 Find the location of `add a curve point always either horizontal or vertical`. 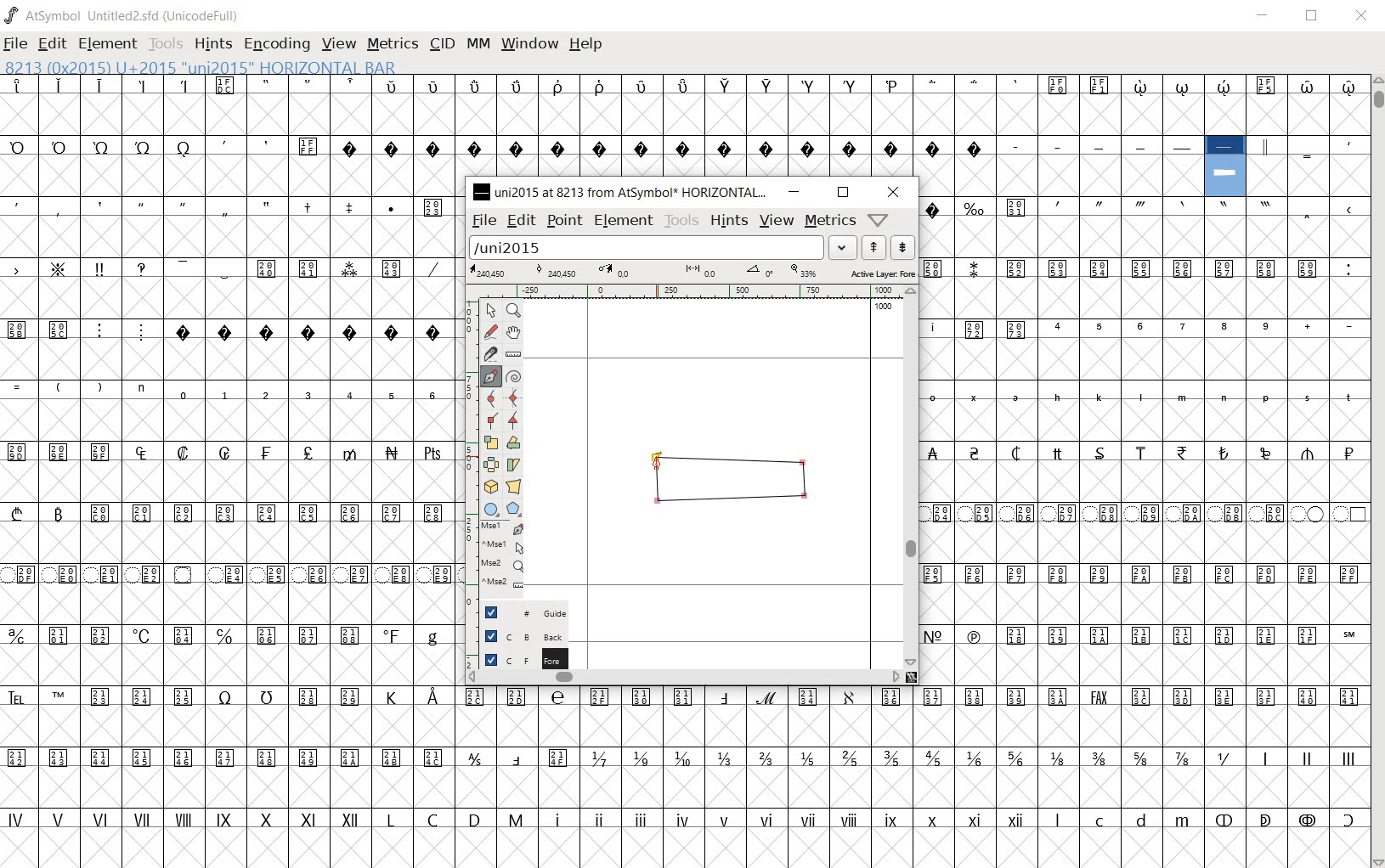

add a curve point always either horizontal or vertical is located at coordinates (512, 398).